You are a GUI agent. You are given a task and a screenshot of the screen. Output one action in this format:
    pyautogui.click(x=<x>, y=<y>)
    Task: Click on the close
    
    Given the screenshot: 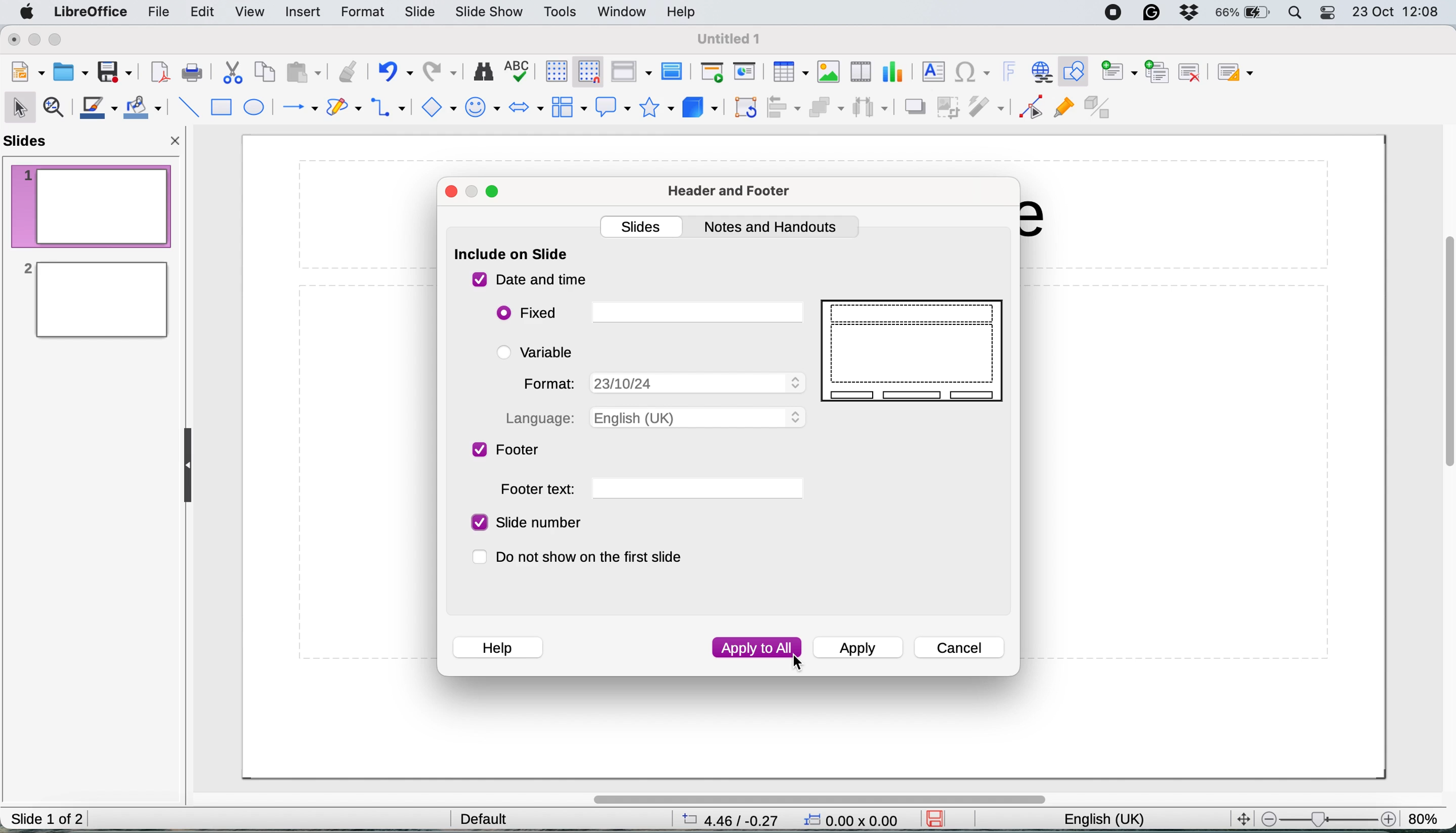 What is the action you would take?
    pyautogui.click(x=452, y=193)
    